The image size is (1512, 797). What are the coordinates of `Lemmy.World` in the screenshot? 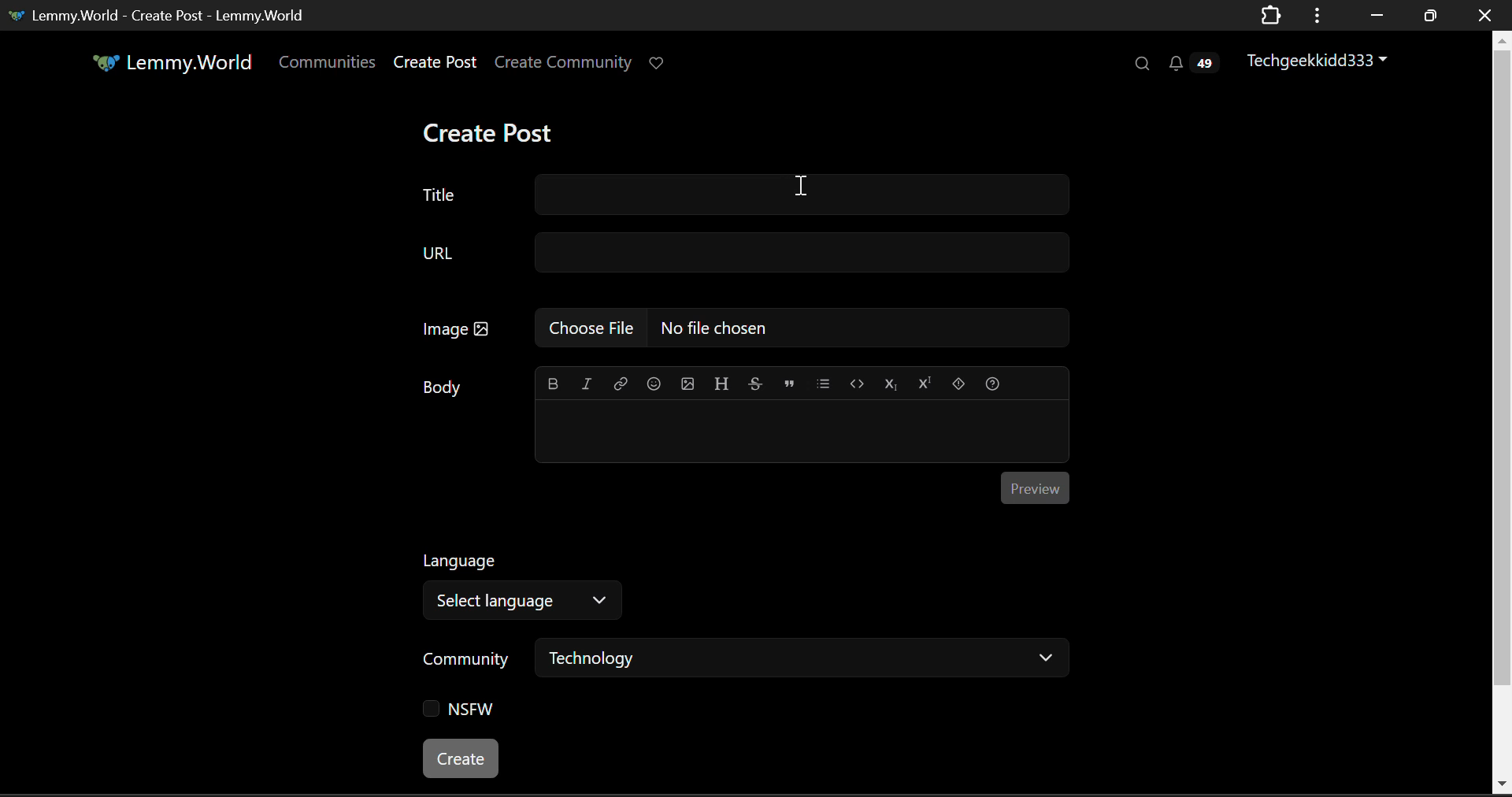 It's located at (162, 62).